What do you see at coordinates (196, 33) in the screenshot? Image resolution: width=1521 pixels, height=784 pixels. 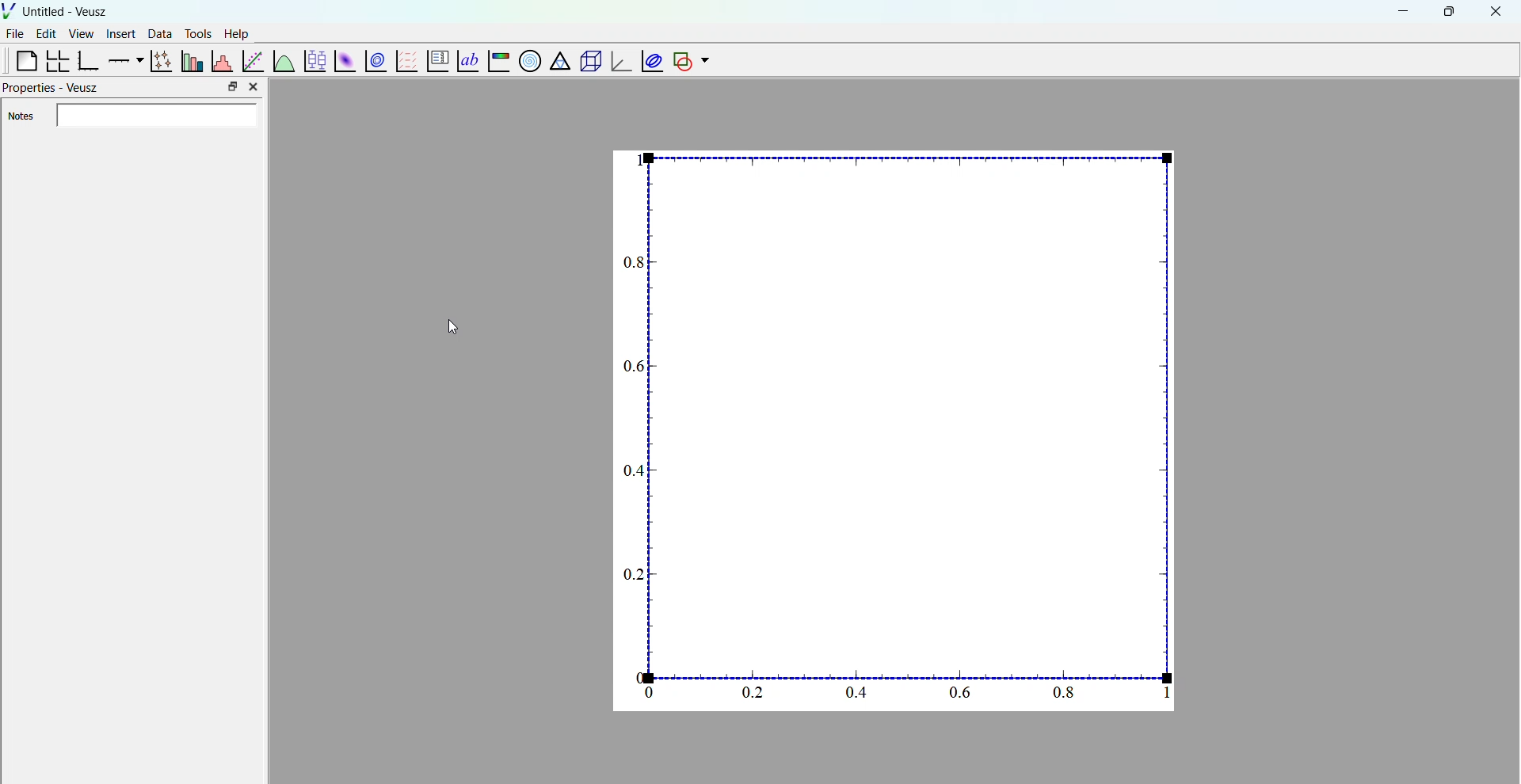 I see `tools` at bounding box center [196, 33].